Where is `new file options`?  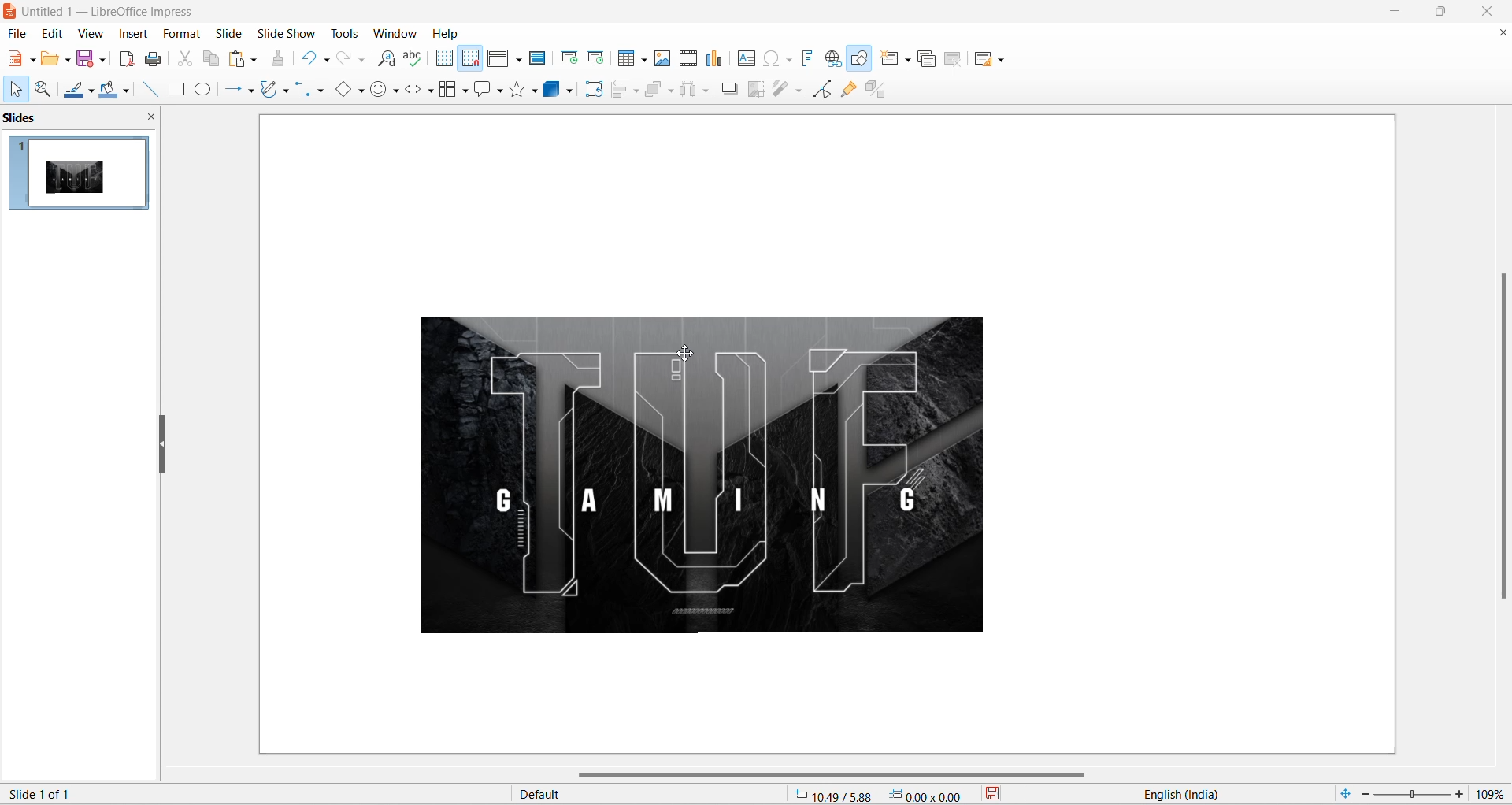 new file options is located at coordinates (34, 61).